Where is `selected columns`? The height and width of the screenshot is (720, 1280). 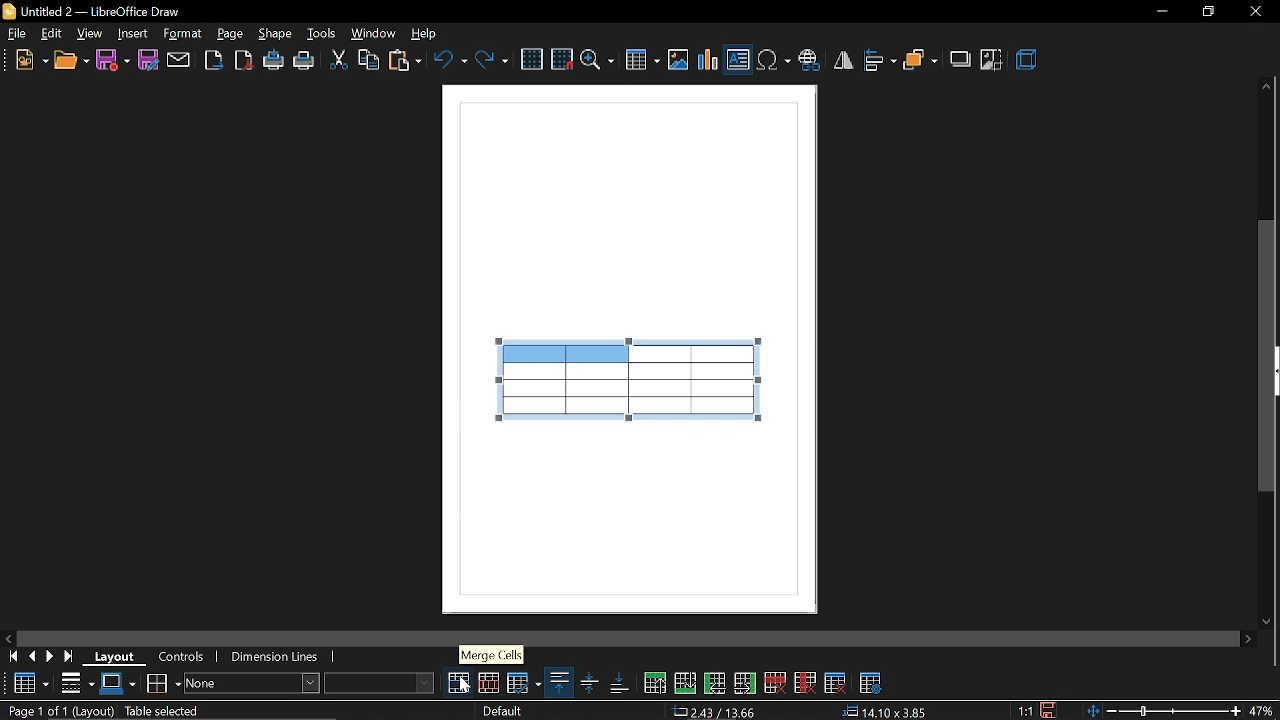
selected columns is located at coordinates (570, 359).